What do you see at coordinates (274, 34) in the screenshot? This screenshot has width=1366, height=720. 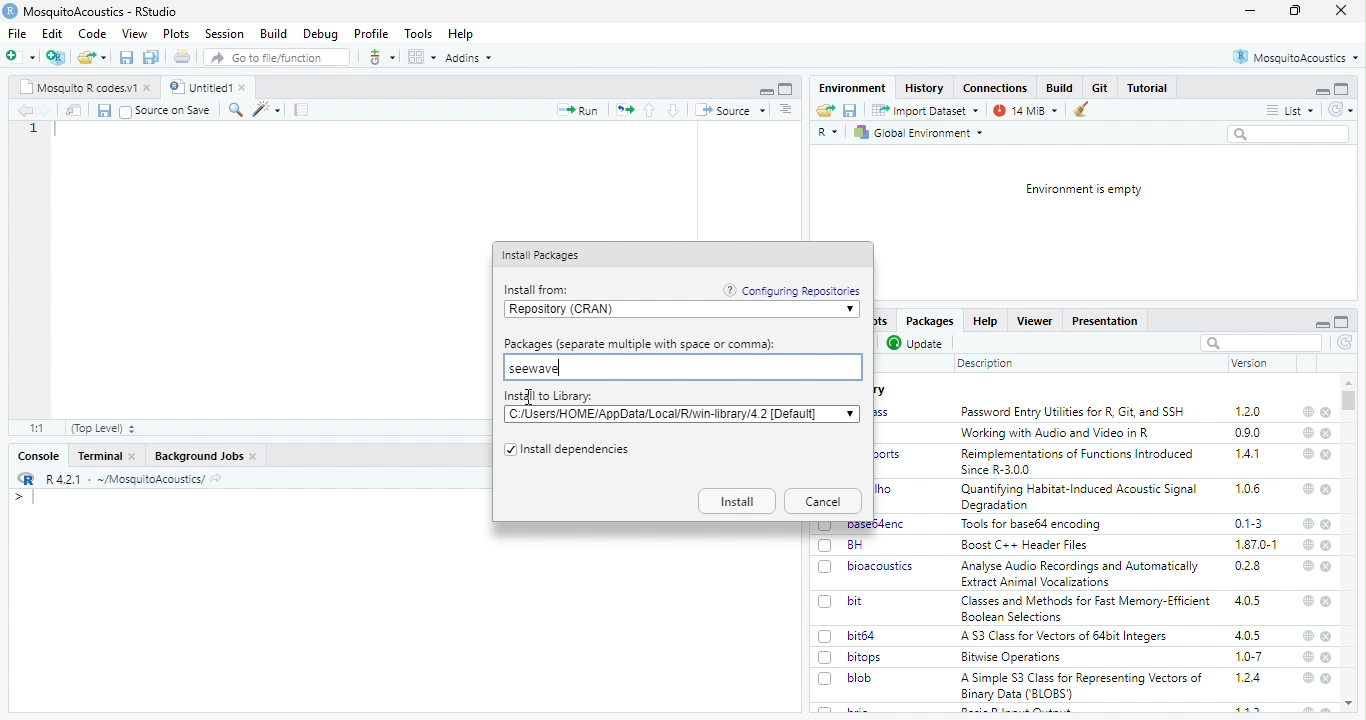 I see `Build` at bounding box center [274, 34].